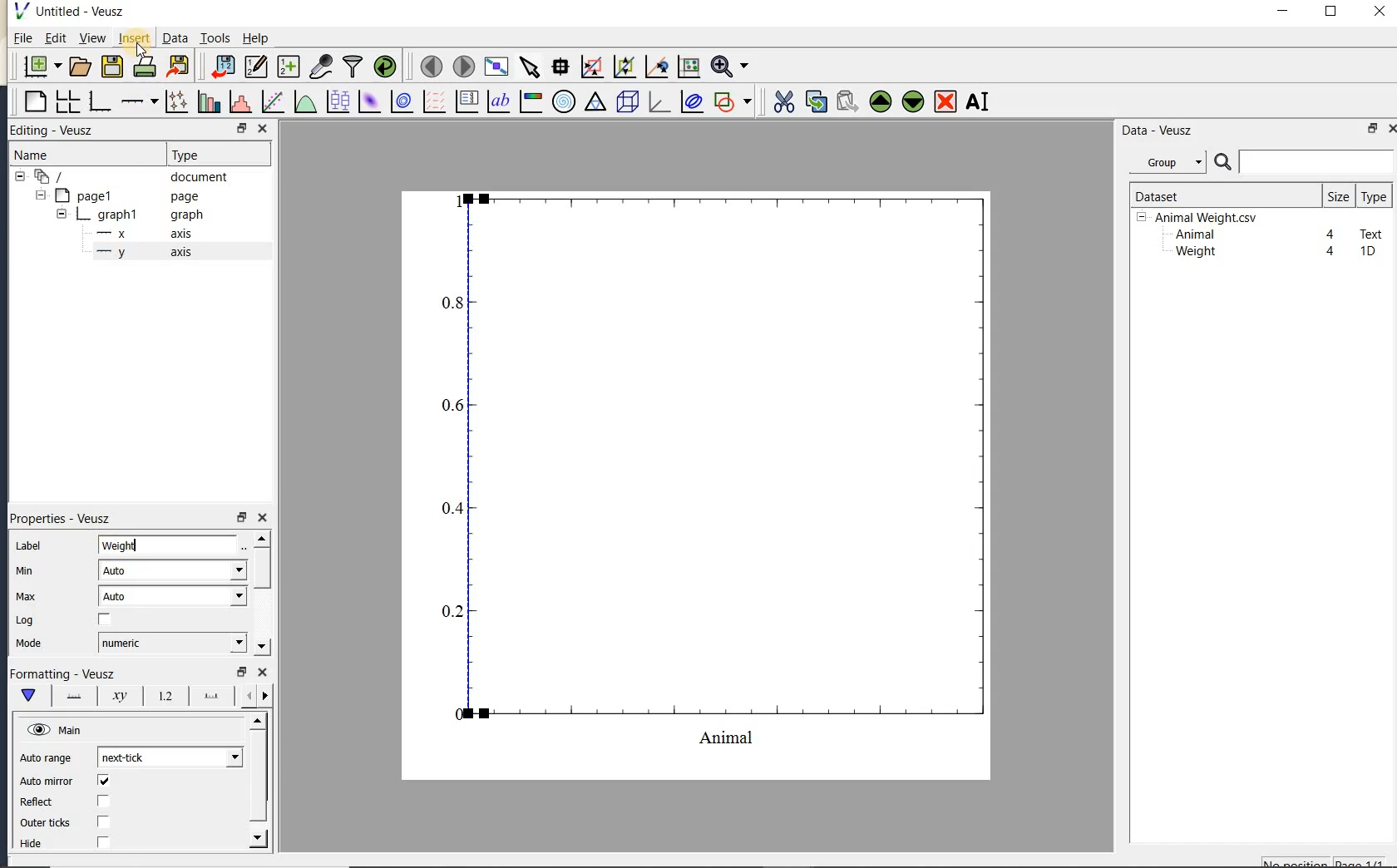 This screenshot has height=868, width=1397. What do you see at coordinates (134, 37) in the screenshot?
I see `insert` at bounding box center [134, 37].